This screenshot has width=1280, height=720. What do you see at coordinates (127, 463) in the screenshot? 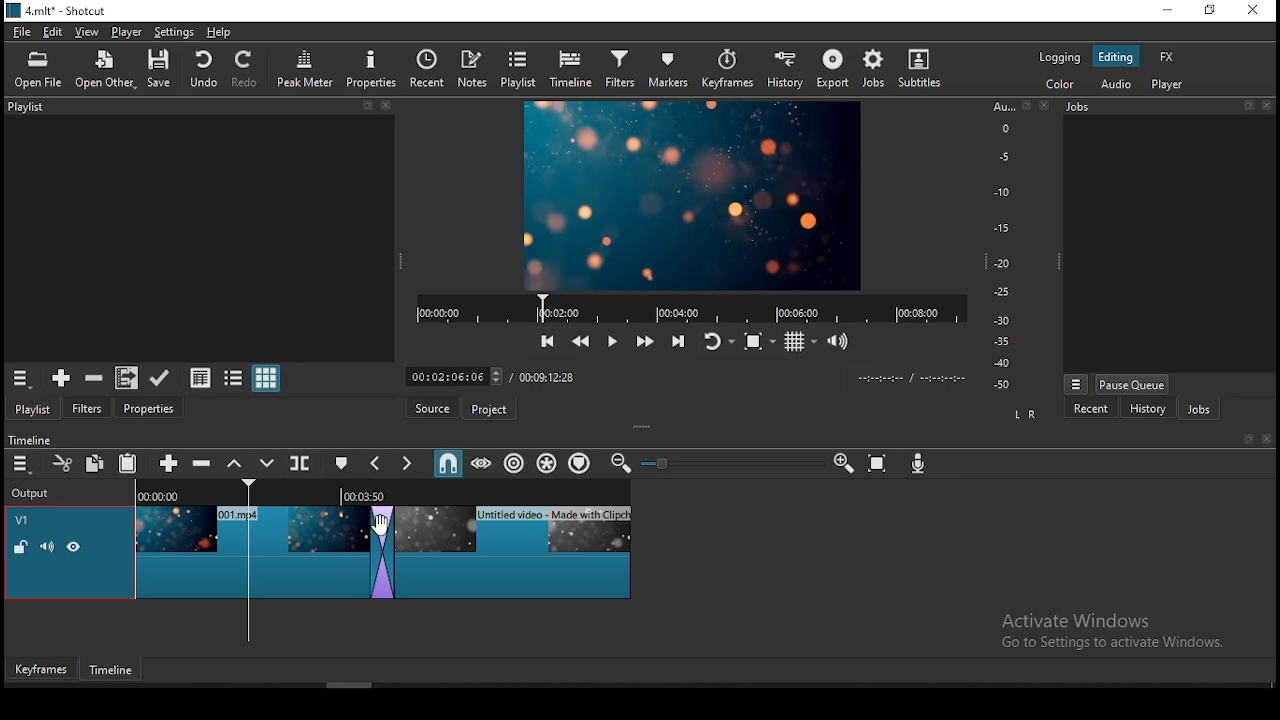
I see `paste` at bounding box center [127, 463].